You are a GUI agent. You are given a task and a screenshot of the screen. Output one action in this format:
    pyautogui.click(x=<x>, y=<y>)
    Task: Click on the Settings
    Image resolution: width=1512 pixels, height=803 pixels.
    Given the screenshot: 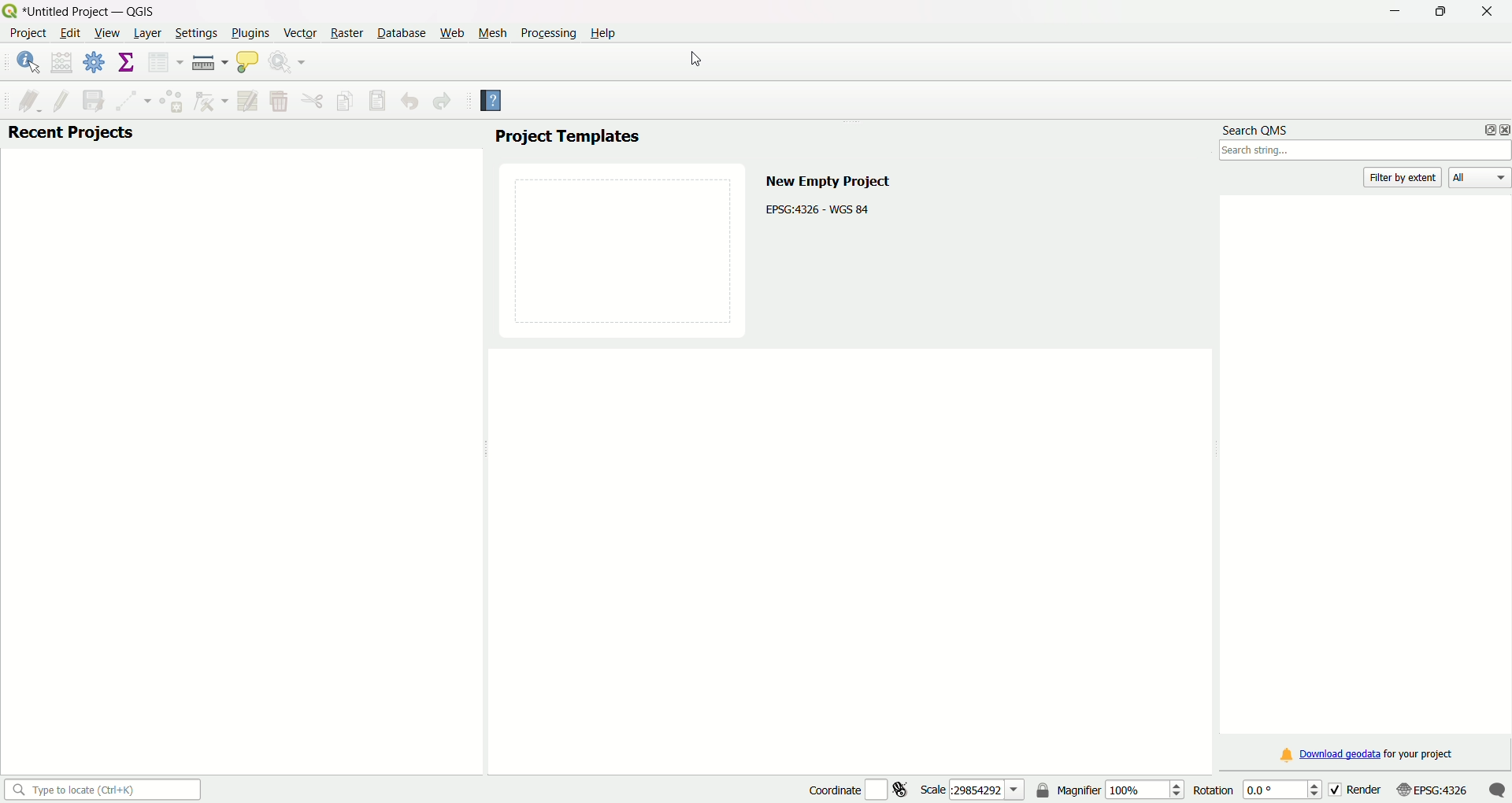 What is the action you would take?
    pyautogui.click(x=193, y=33)
    